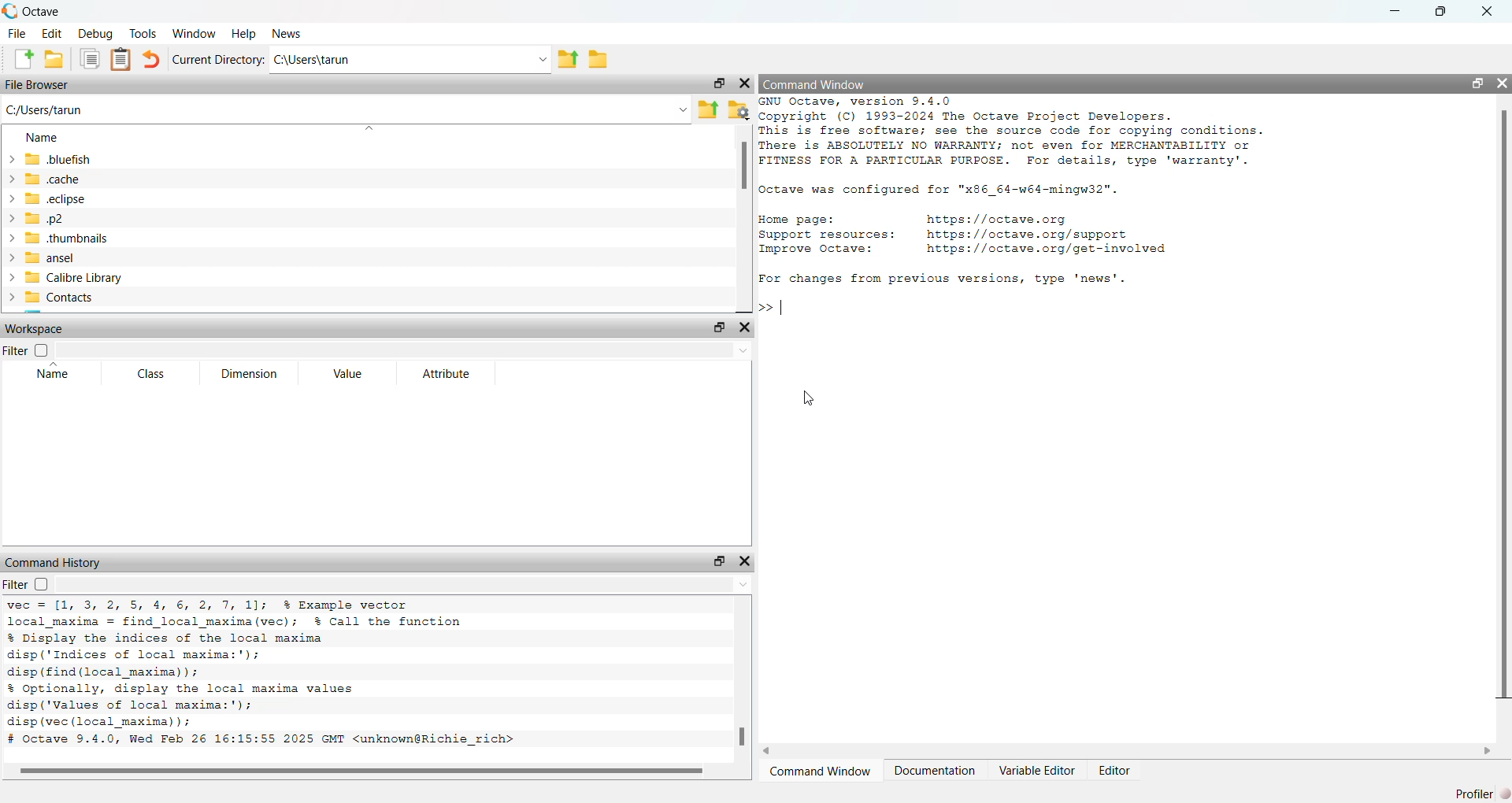  What do you see at coordinates (369, 772) in the screenshot?
I see `horizontal scroll bar` at bounding box center [369, 772].